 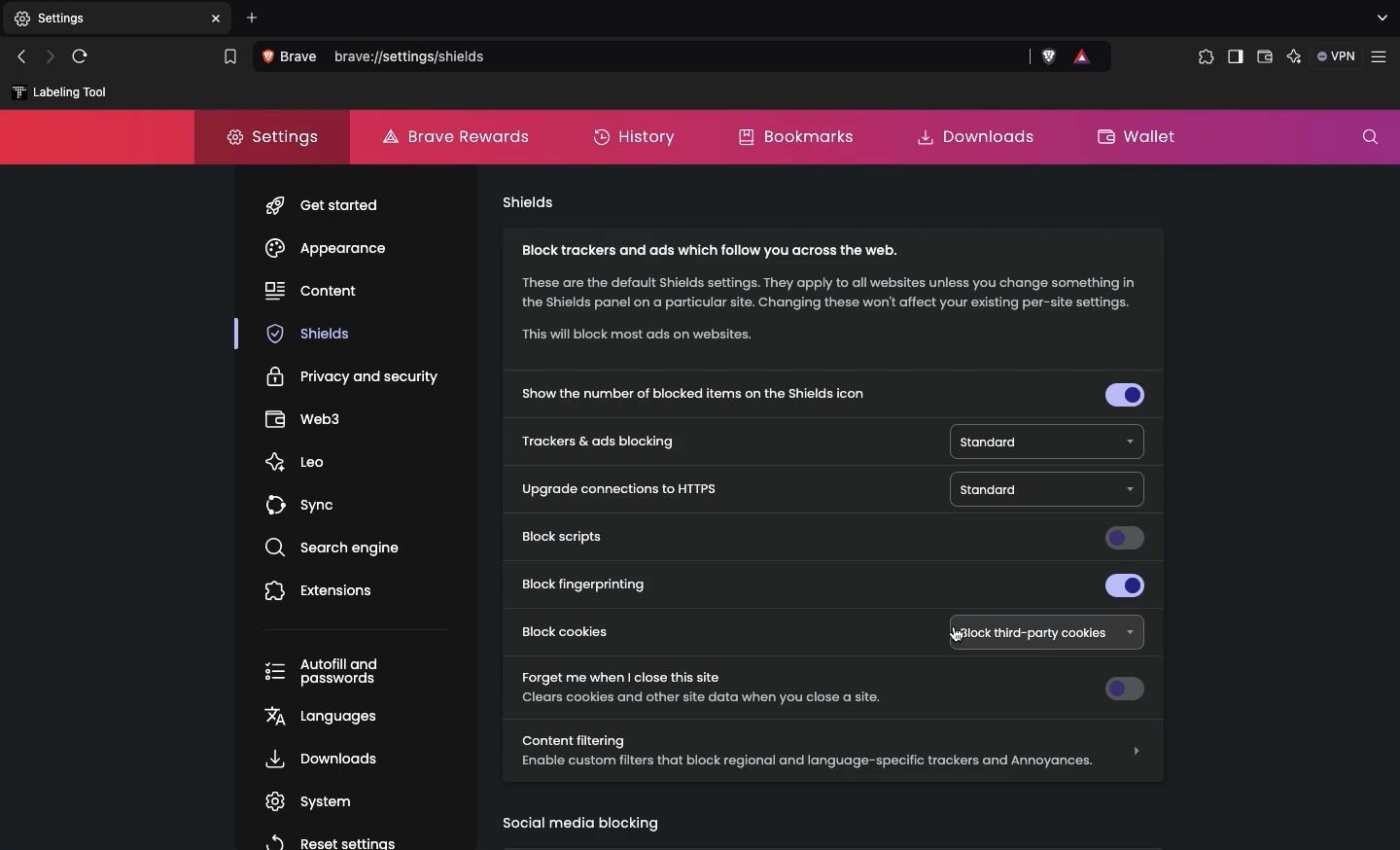 I want to click on search engine, so click(x=340, y=549).